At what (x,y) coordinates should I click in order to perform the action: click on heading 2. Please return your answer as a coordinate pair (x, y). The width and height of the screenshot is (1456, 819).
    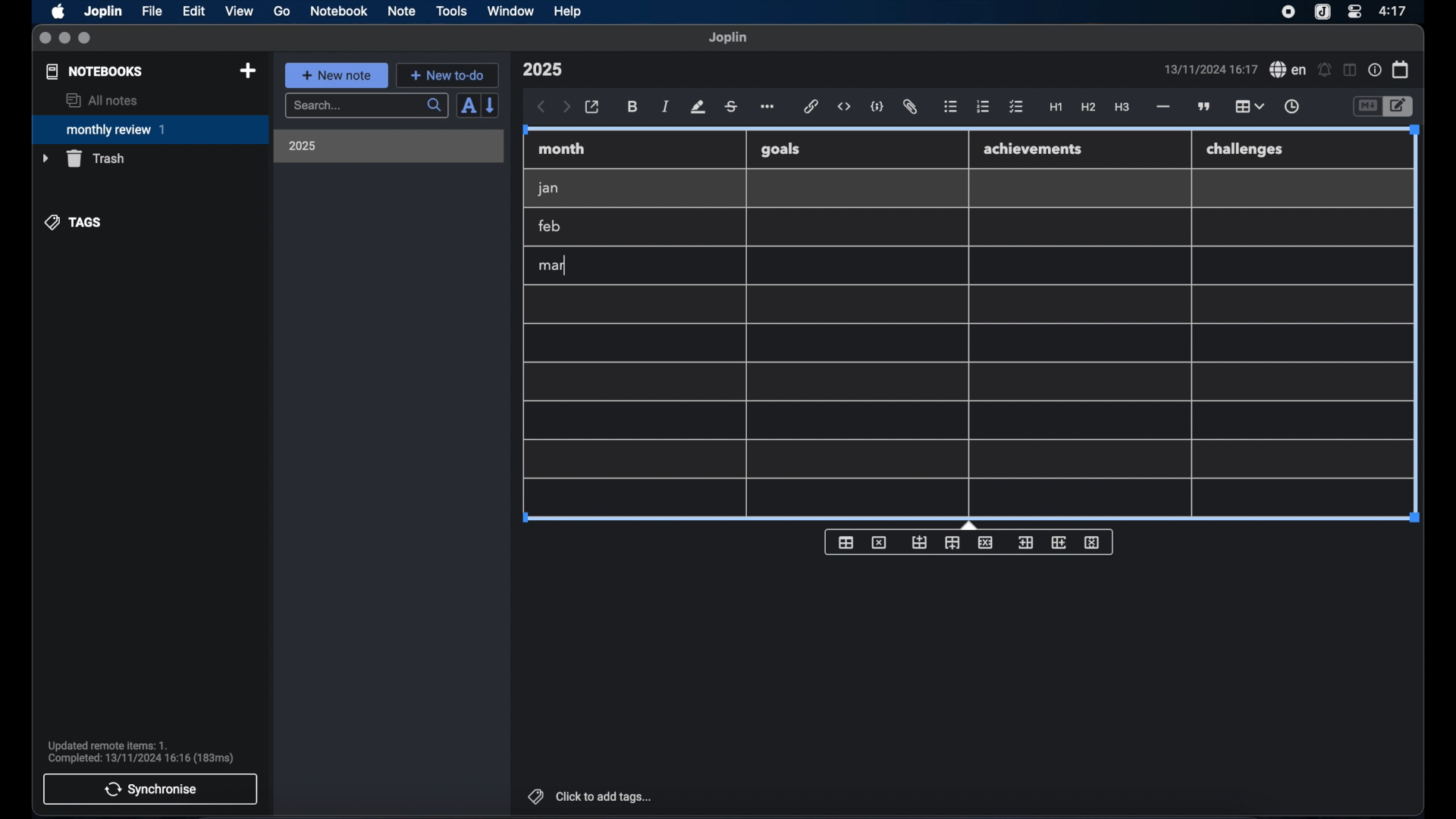
    Looking at the image, I should click on (1089, 108).